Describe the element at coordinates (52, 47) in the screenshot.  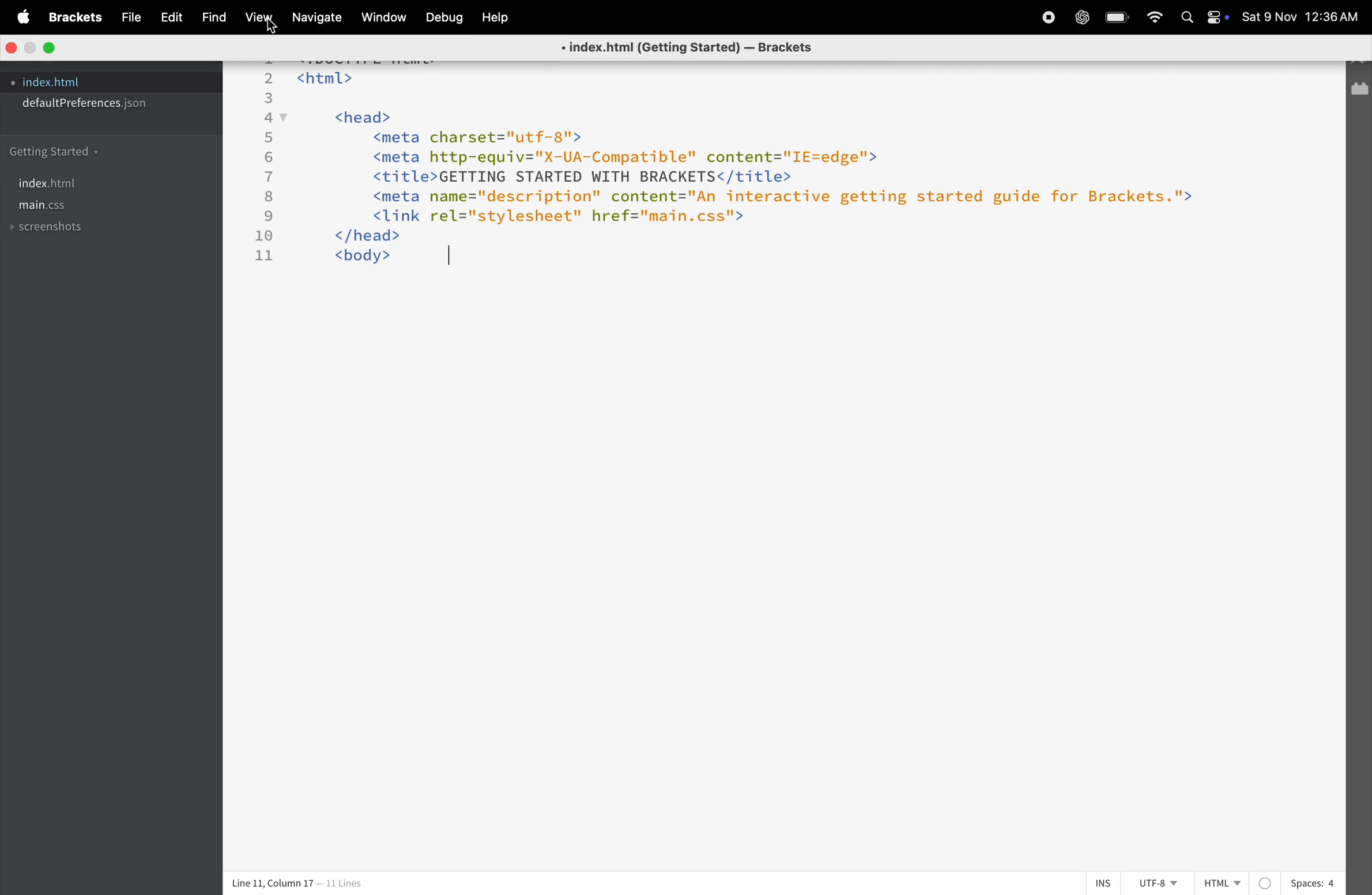
I see `maximize` at that location.